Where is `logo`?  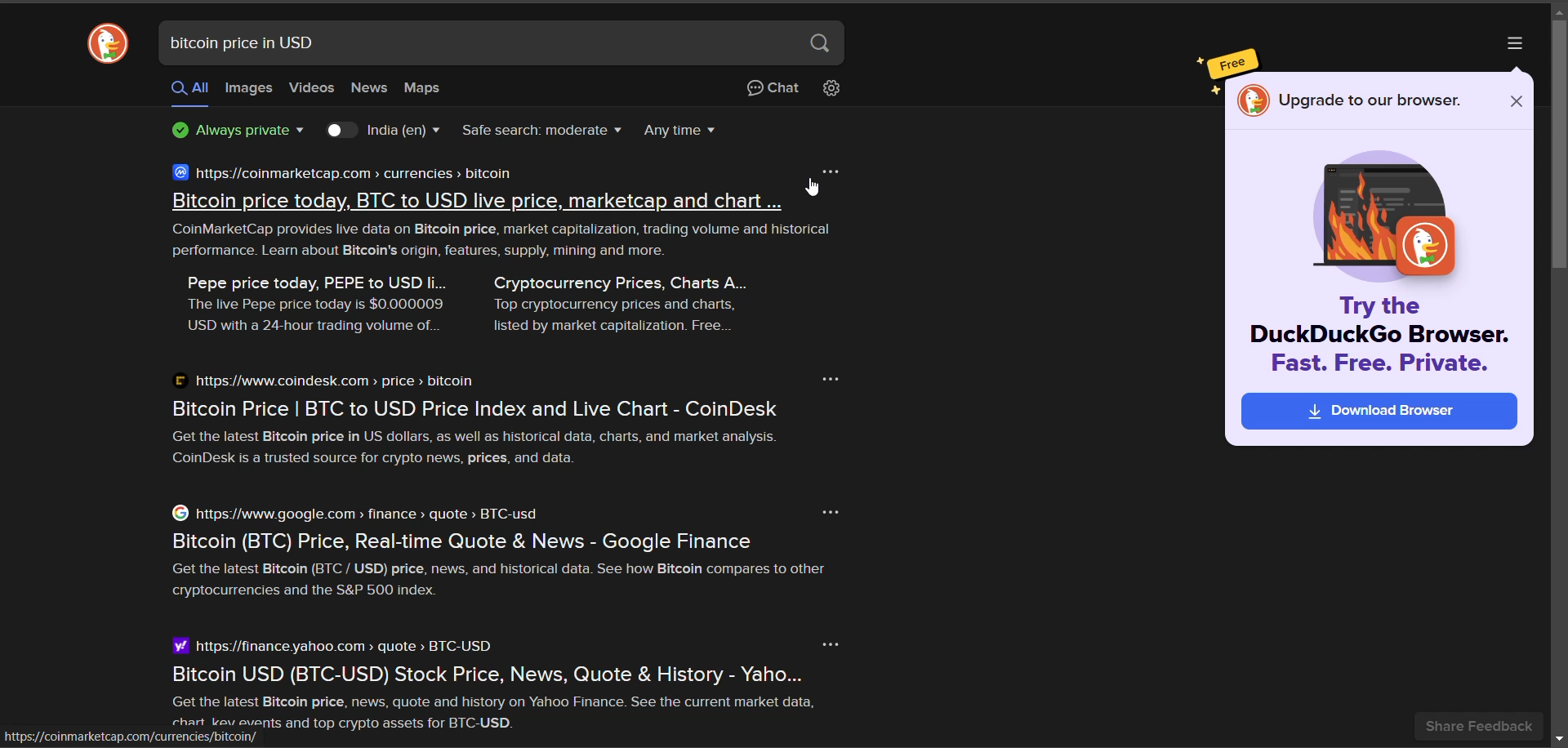
logo is located at coordinates (1390, 214).